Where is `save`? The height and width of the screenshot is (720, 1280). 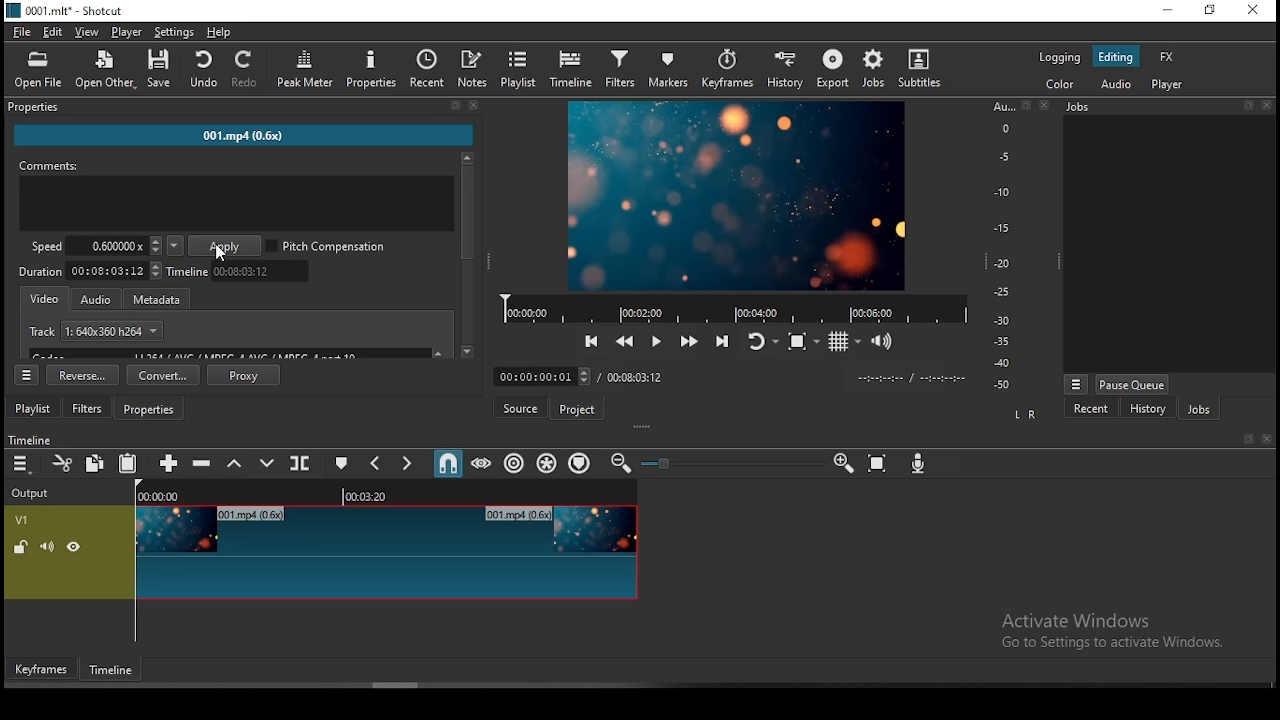
save is located at coordinates (162, 71).